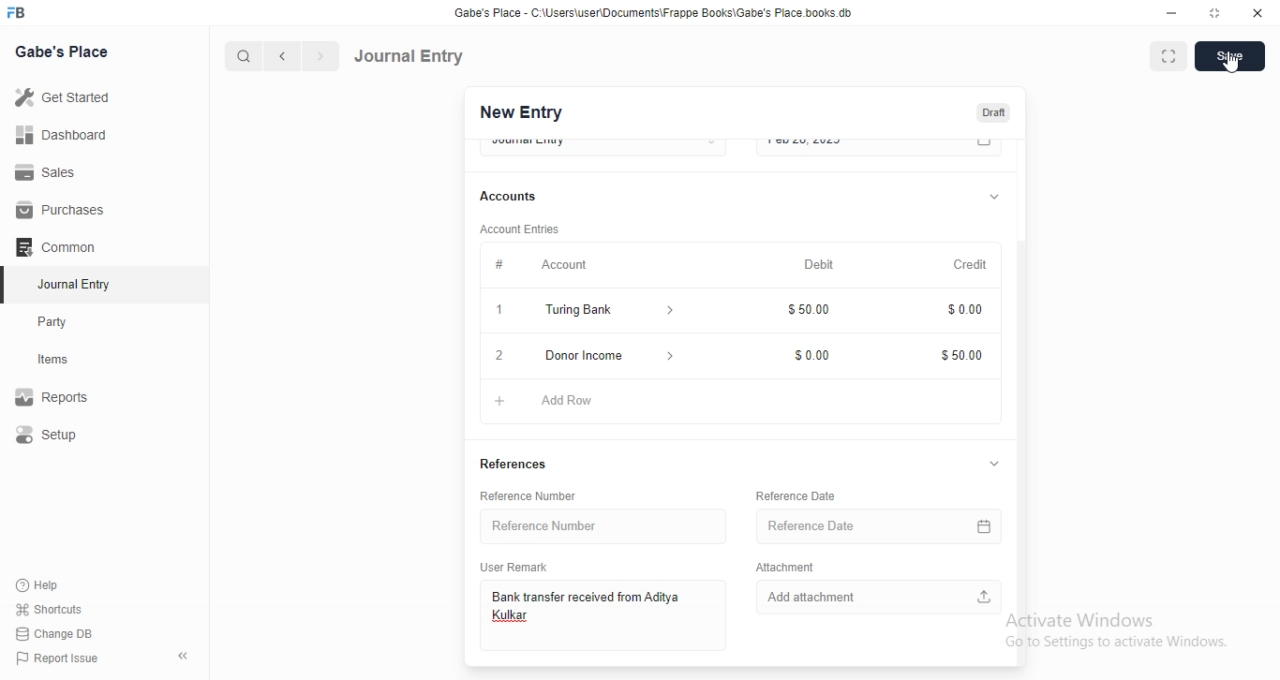  I want to click on User Remark, so click(519, 566).